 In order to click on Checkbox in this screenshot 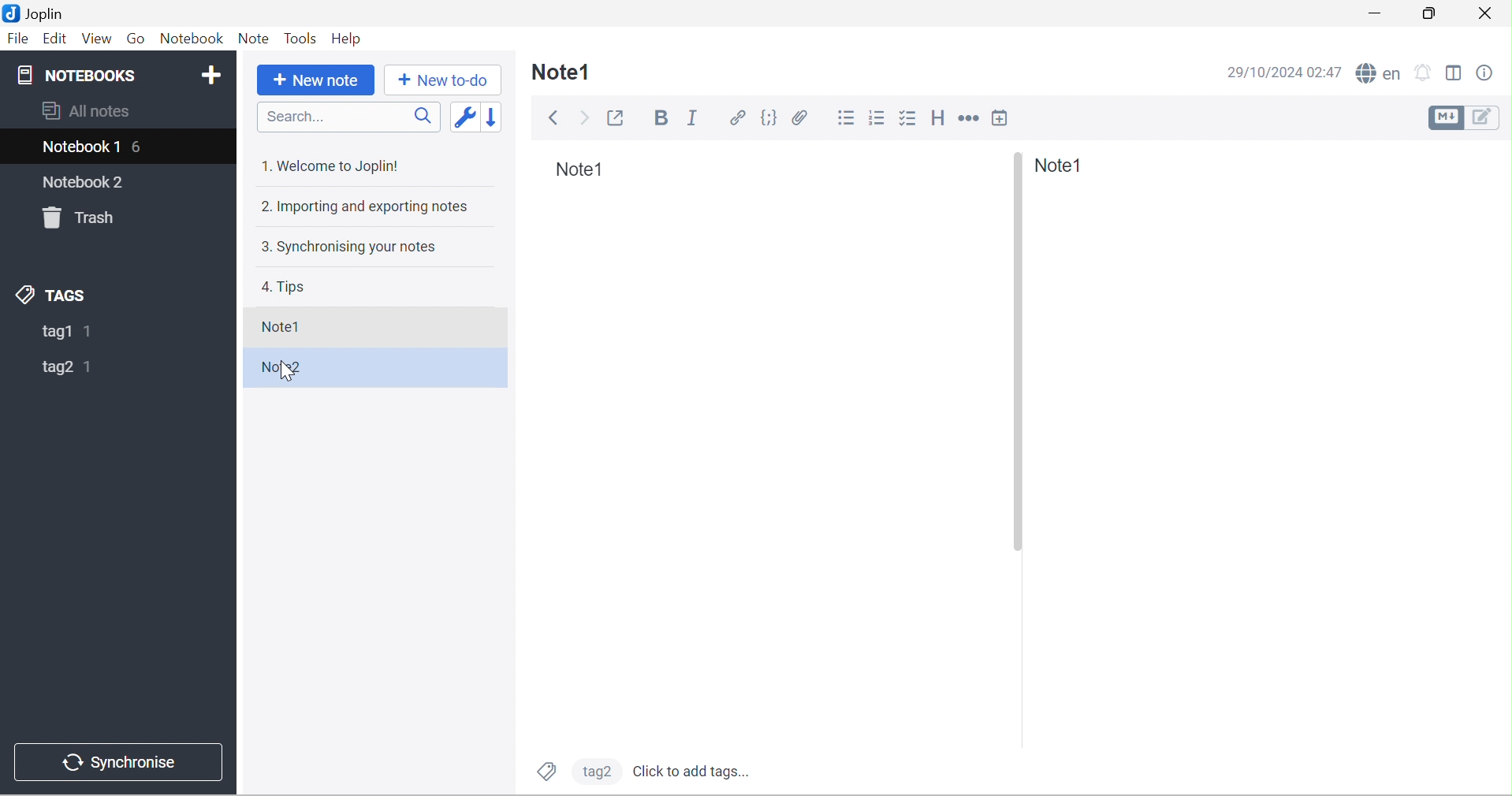, I will do `click(907, 120)`.